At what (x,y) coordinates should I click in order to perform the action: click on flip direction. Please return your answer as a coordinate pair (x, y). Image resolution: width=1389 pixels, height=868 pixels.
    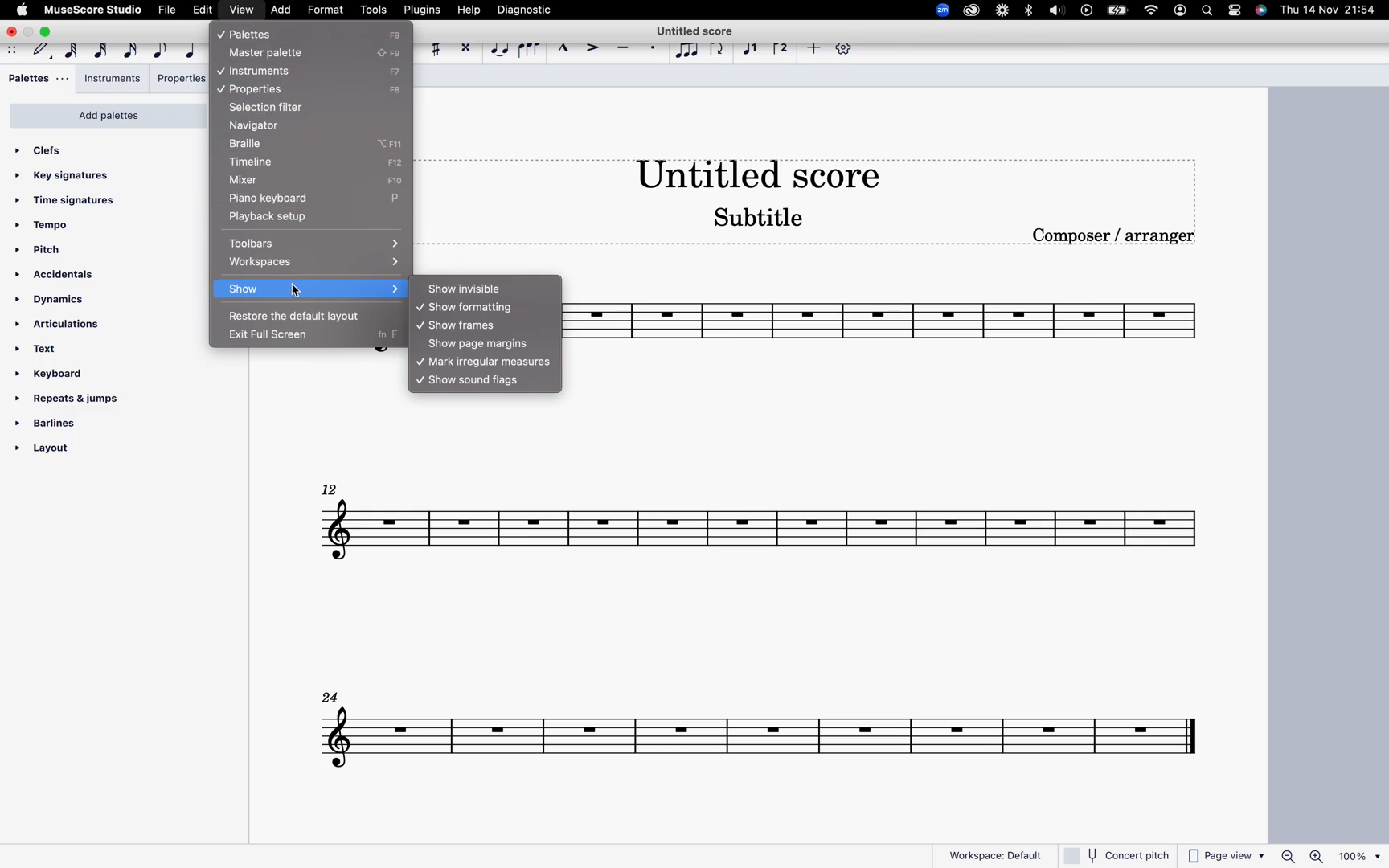
    Looking at the image, I should click on (714, 52).